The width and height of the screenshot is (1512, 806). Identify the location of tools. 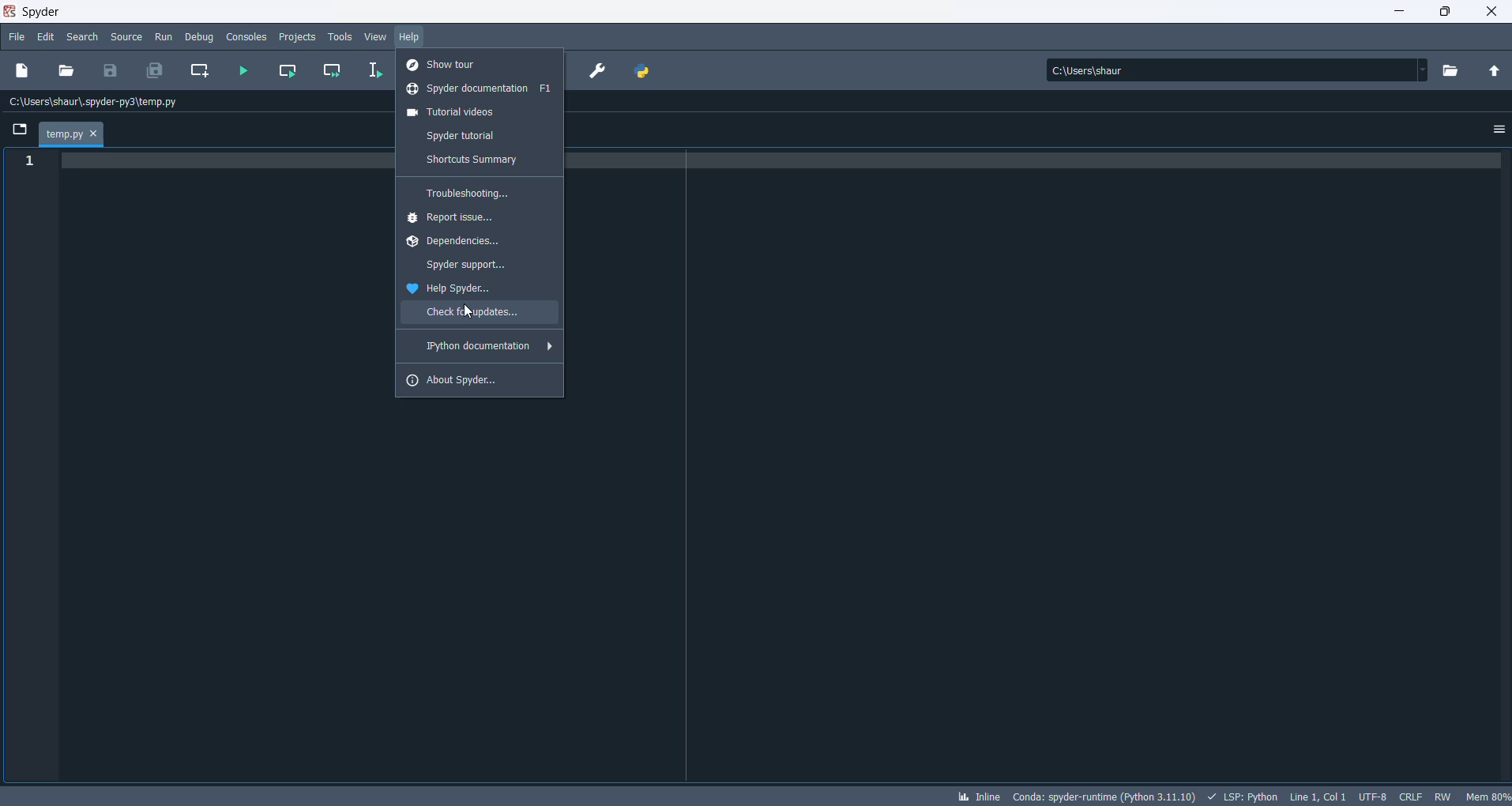
(340, 36).